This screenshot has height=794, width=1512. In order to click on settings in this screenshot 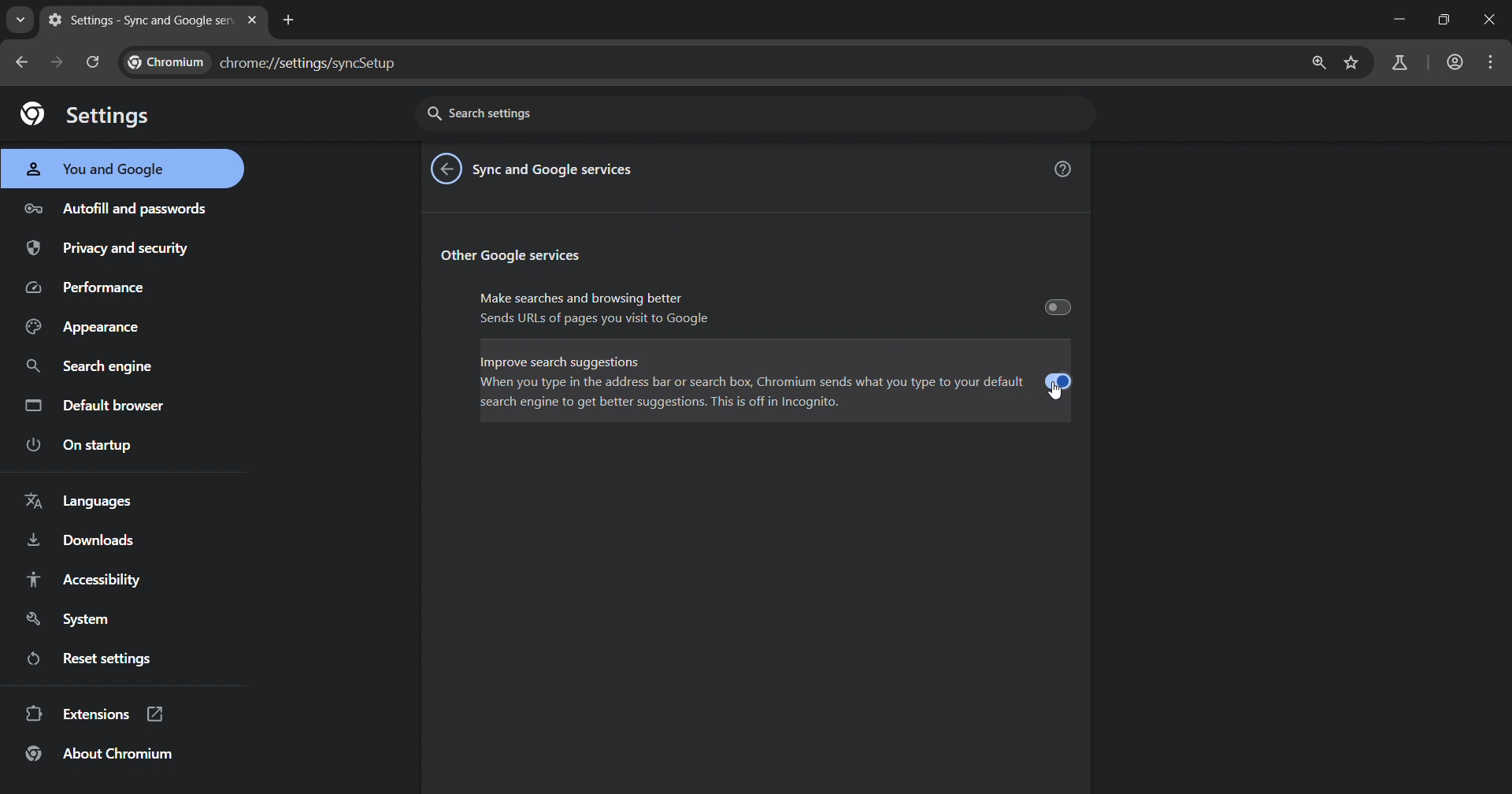, I will do `click(87, 116)`.